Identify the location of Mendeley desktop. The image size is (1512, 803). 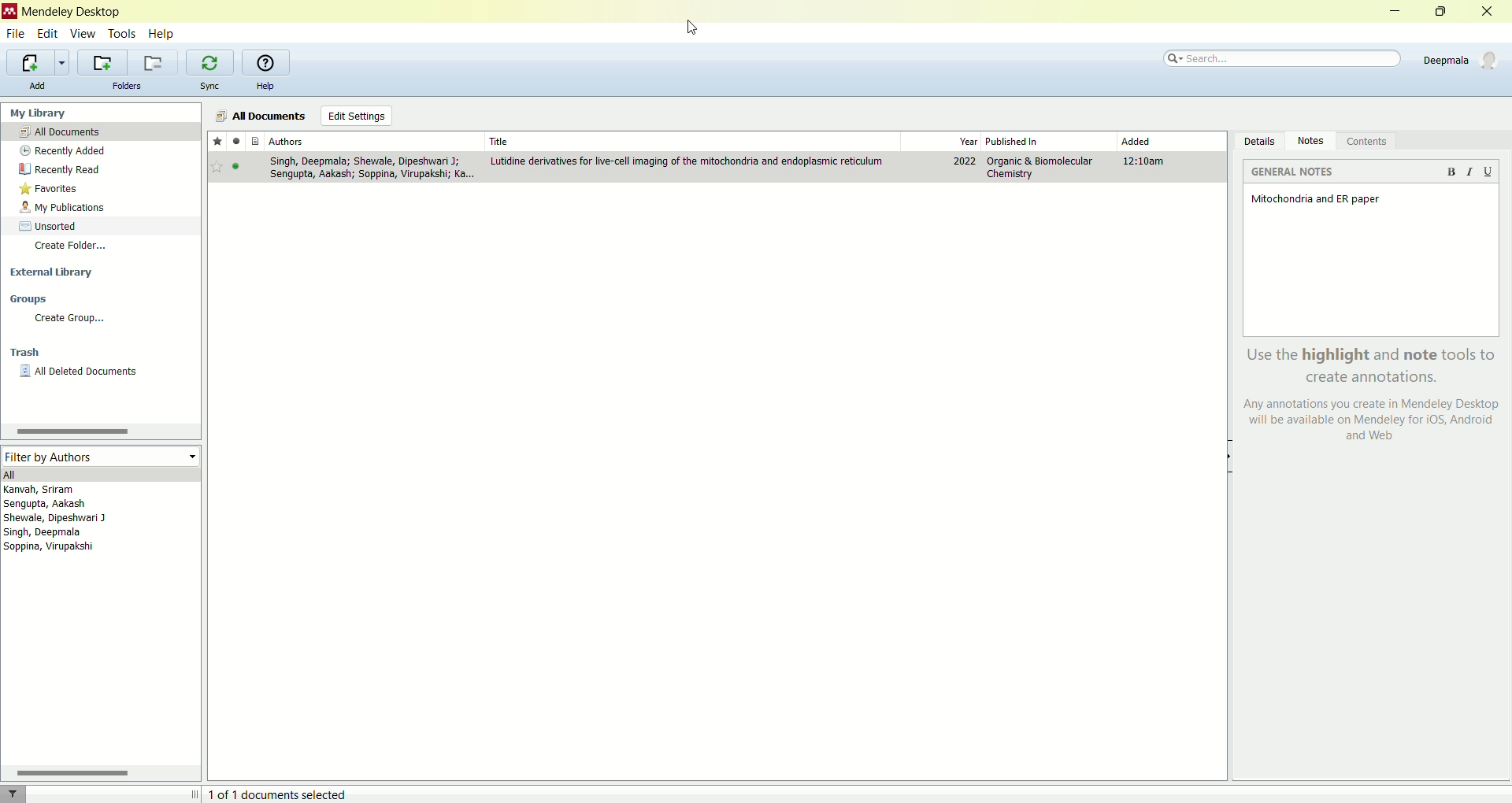
(73, 13).